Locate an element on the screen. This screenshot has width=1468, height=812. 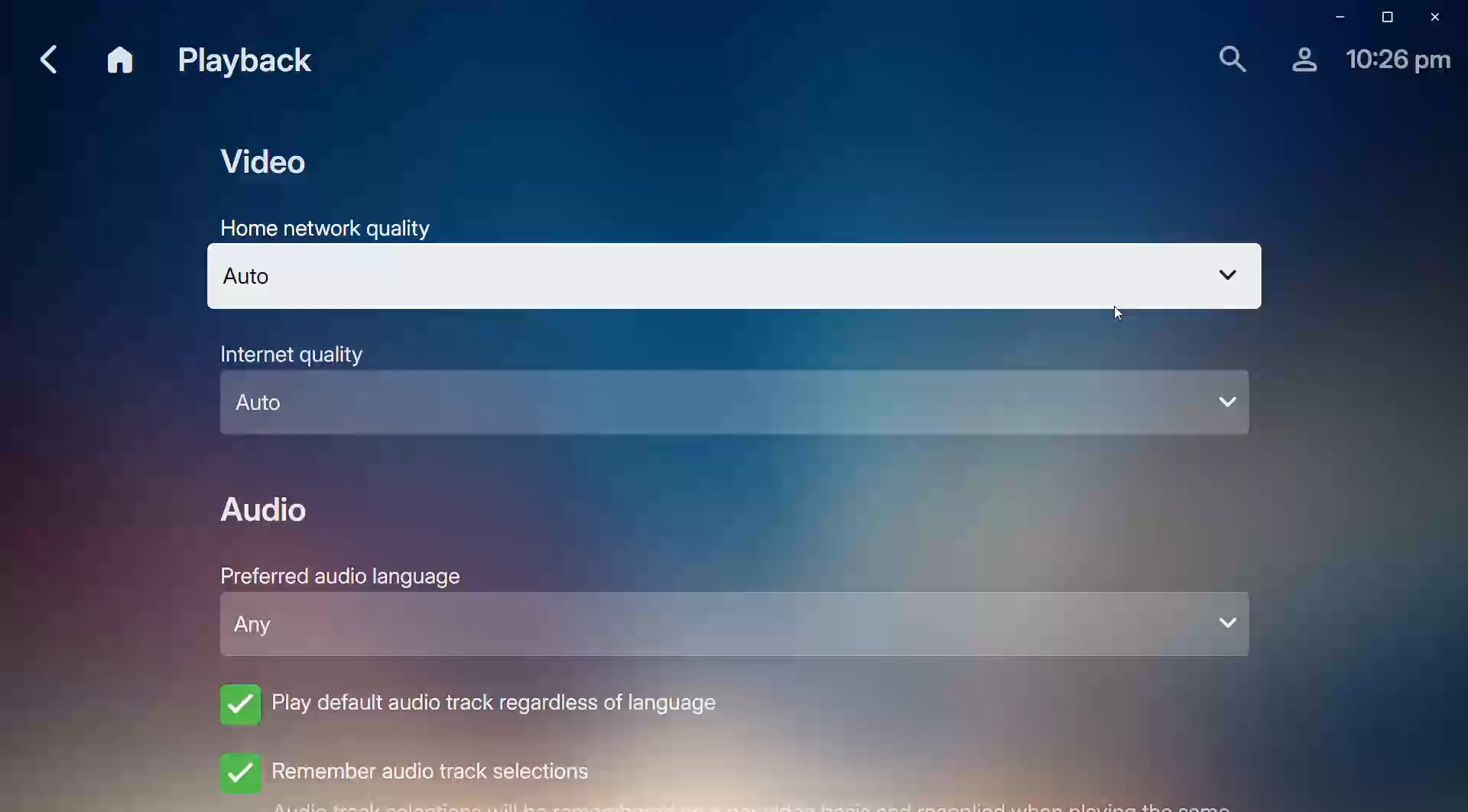
Internet Quality - Auto is located at coordinates (736, 395).